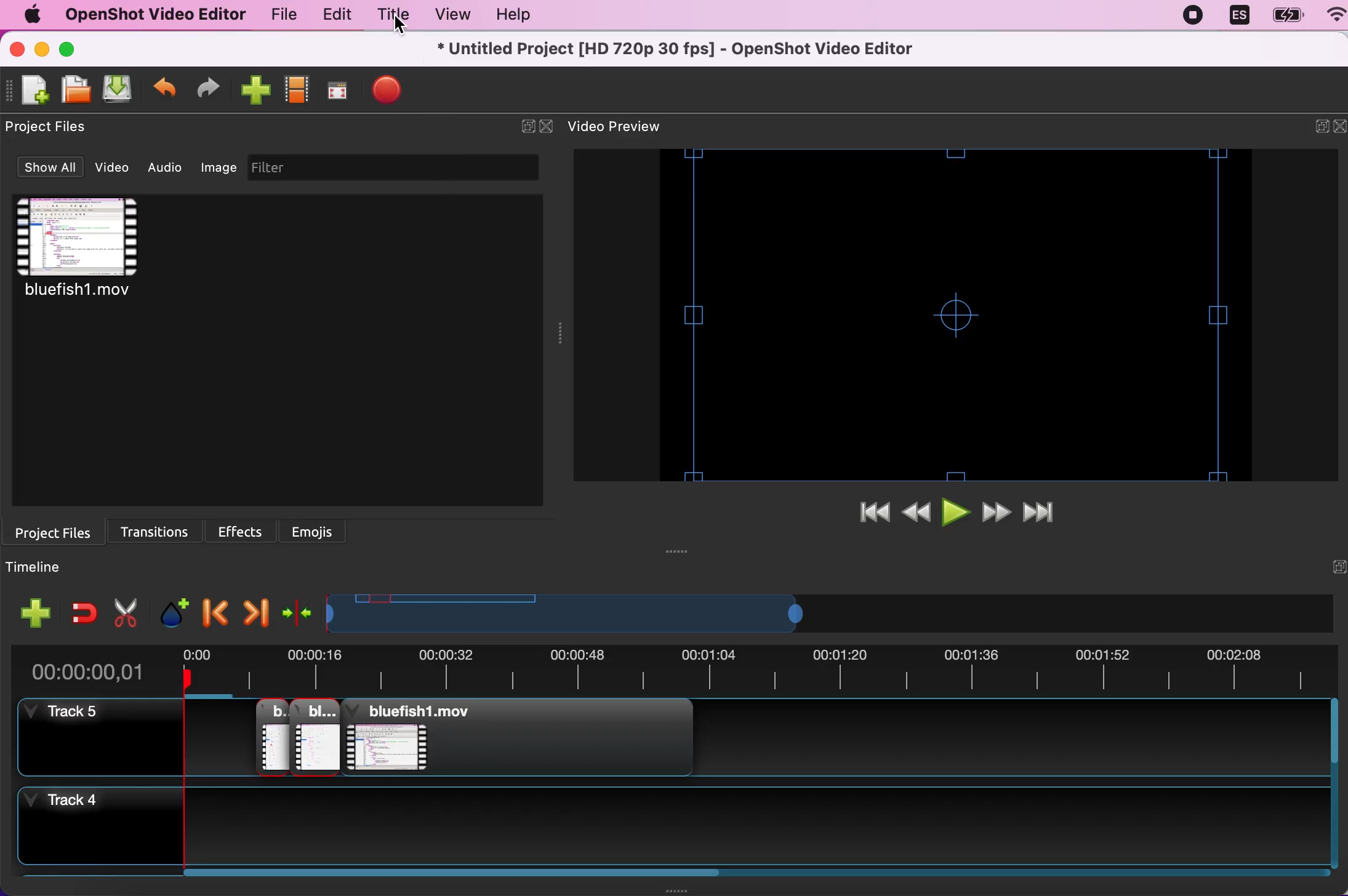  What do you see at coordinates (628, 127) in the screenshot?
I see `video preview` at bounding box center [628, 127].